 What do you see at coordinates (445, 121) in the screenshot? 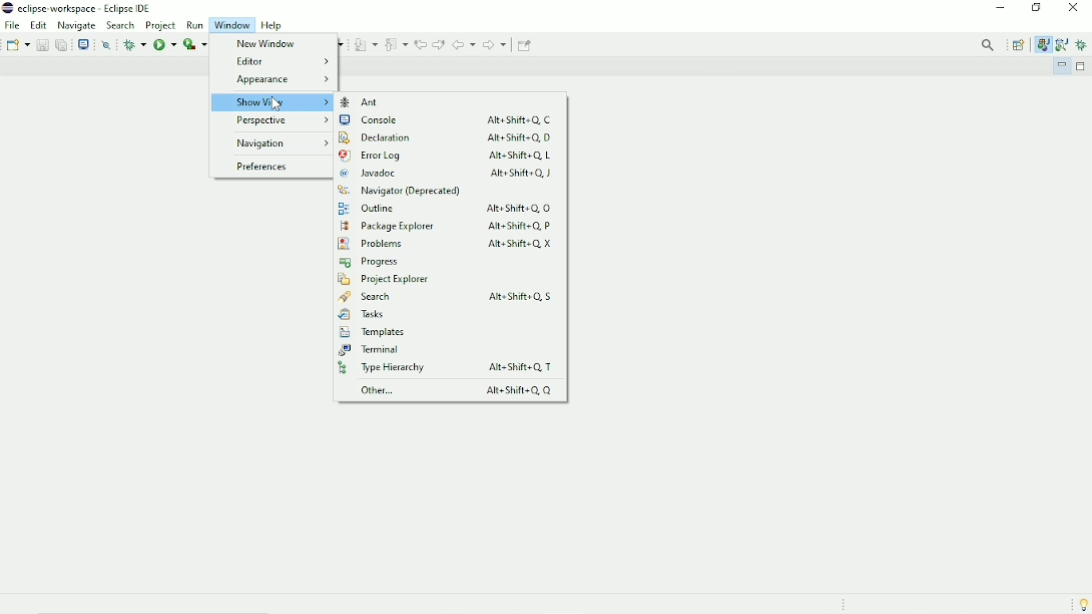
I see `Console` at bounding box center [445, 121].